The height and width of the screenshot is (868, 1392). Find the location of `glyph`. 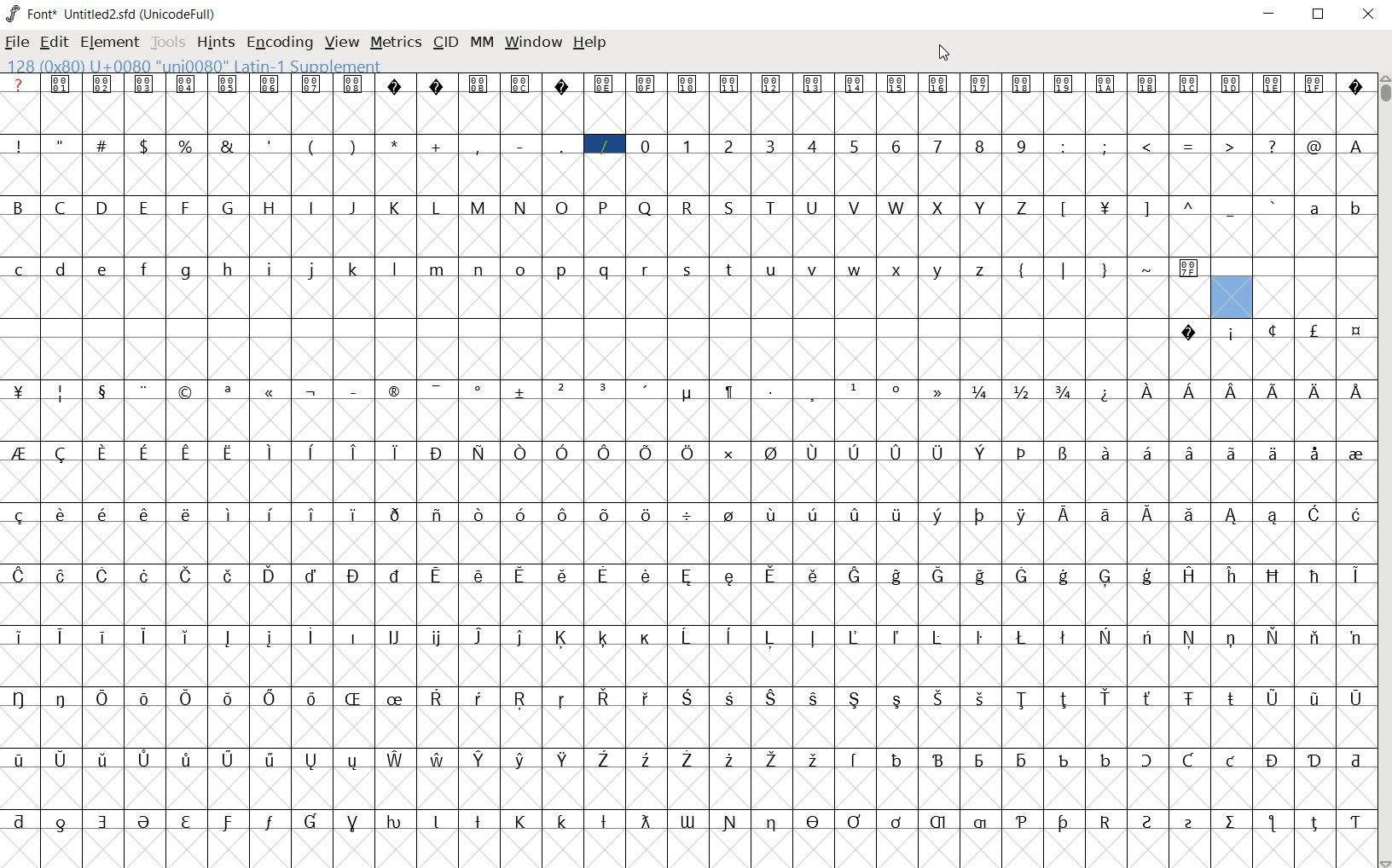

glyph is located at coordinates (769, 146).